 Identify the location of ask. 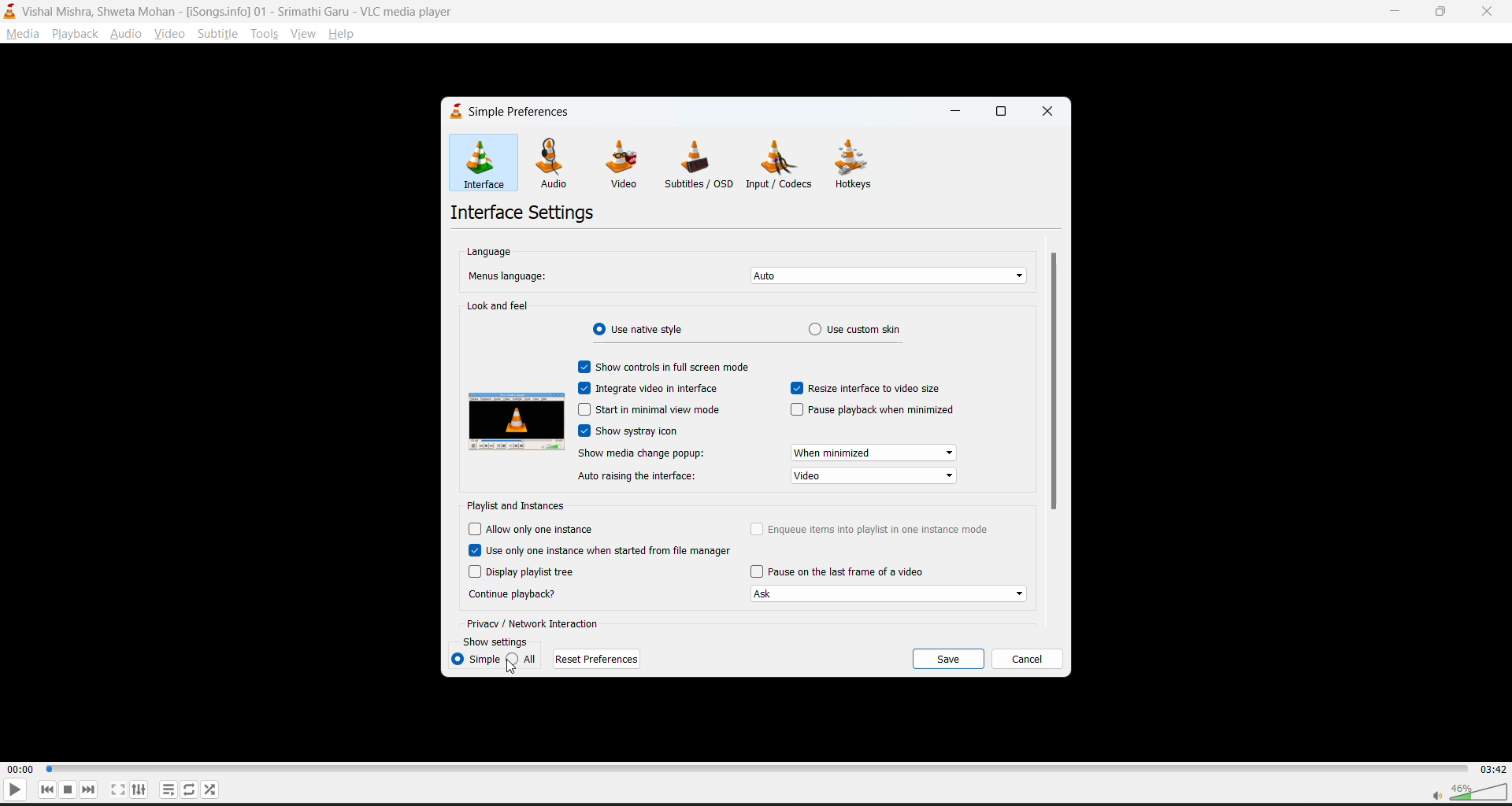
(896, 595).